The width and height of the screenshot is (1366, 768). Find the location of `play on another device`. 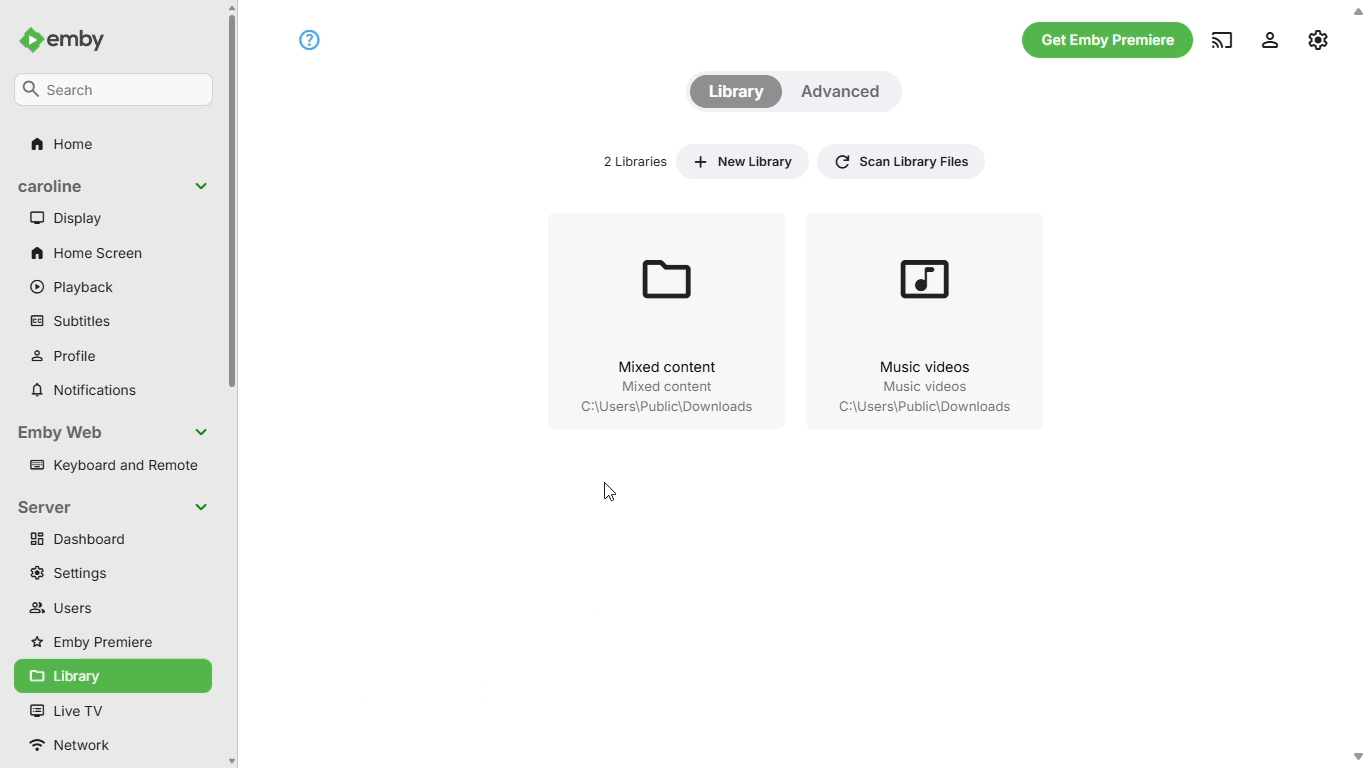

play on another device is located at coordinates (1223, 41).